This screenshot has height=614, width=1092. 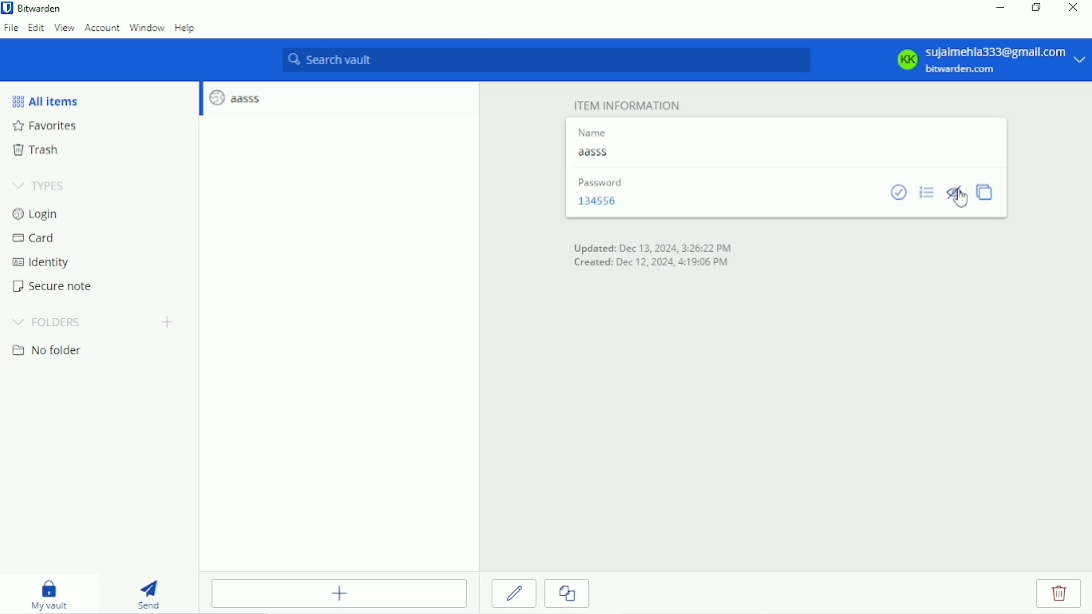 I want to click on No folder, so click(x=45, y=354).